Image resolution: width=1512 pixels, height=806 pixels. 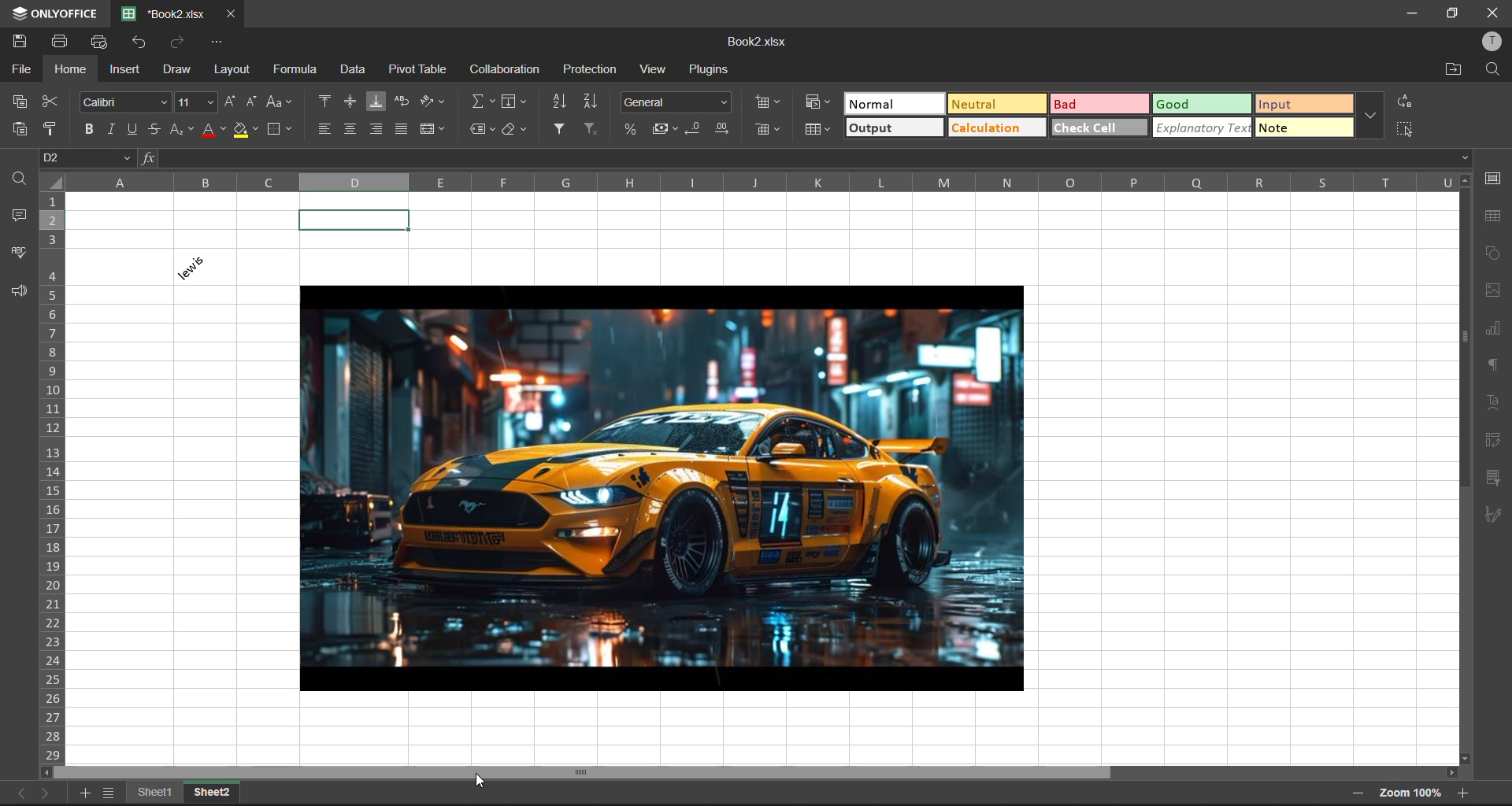 I want to click on delete cells, so click(x=768, y=131).